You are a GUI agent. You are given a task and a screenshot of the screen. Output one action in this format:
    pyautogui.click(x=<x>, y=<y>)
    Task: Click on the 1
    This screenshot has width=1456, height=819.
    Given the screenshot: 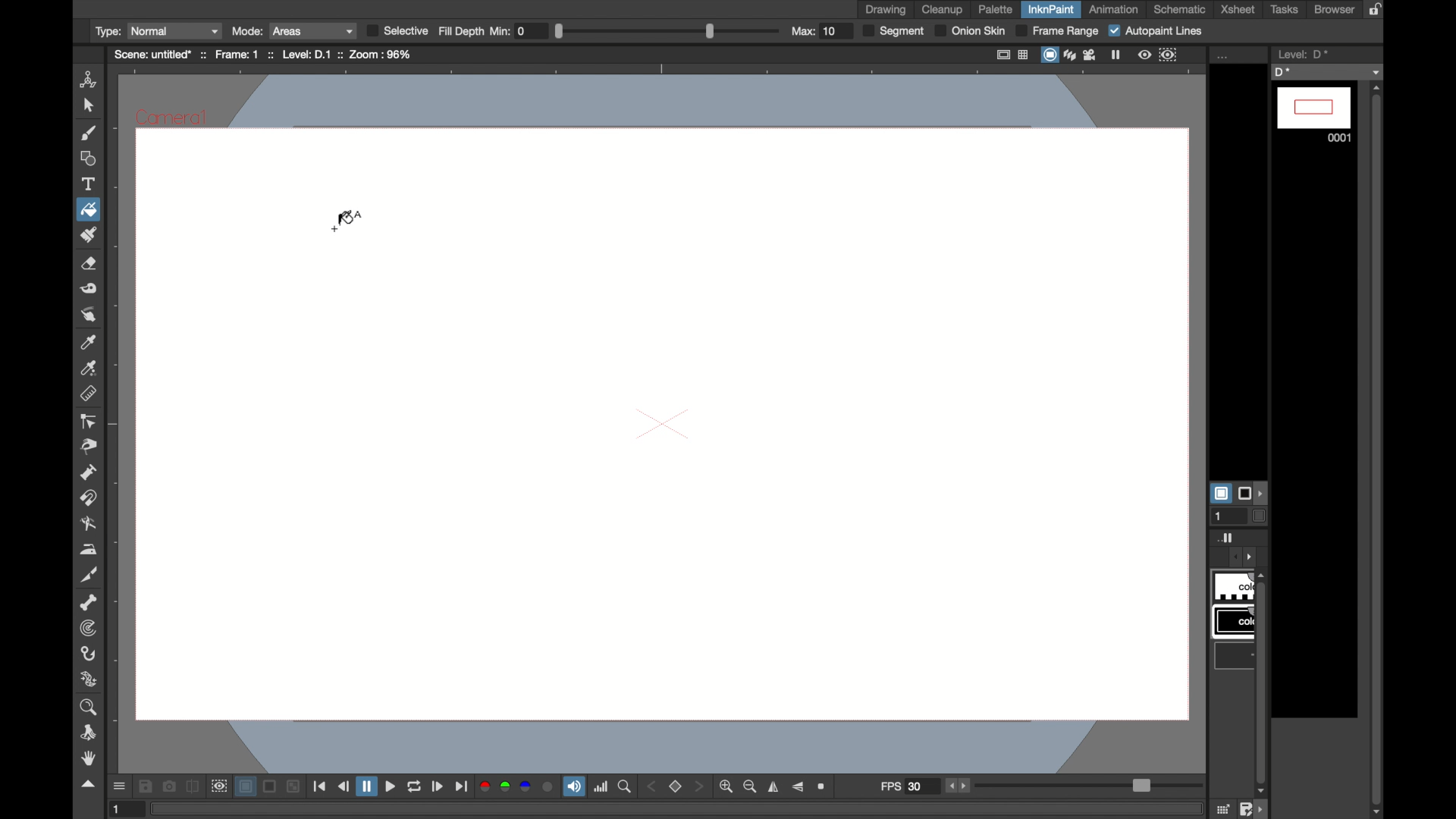 What is the action you would take?
    pyautogui.click(x=122, y=810)
    